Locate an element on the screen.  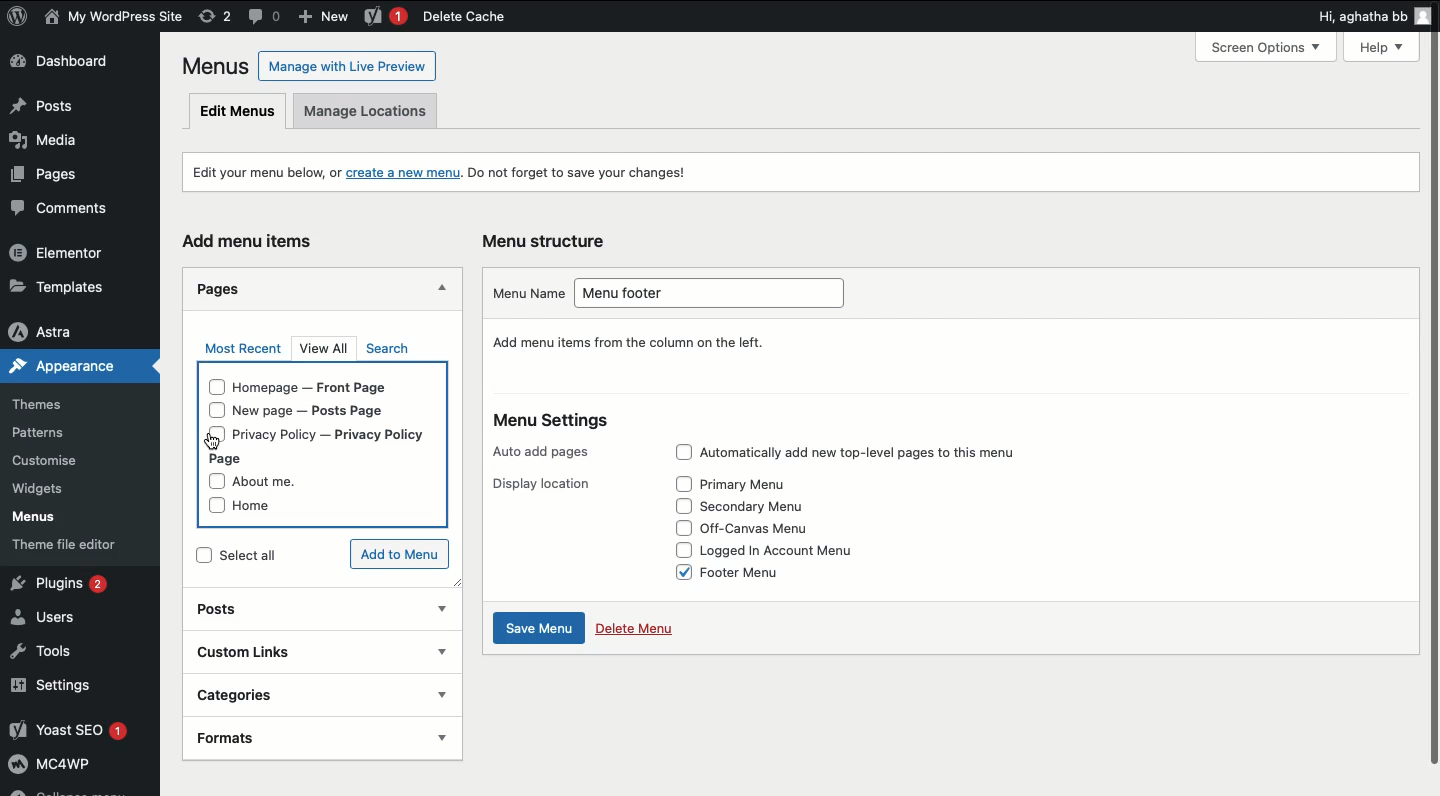
Appearance is located at coordinates (58, 370).